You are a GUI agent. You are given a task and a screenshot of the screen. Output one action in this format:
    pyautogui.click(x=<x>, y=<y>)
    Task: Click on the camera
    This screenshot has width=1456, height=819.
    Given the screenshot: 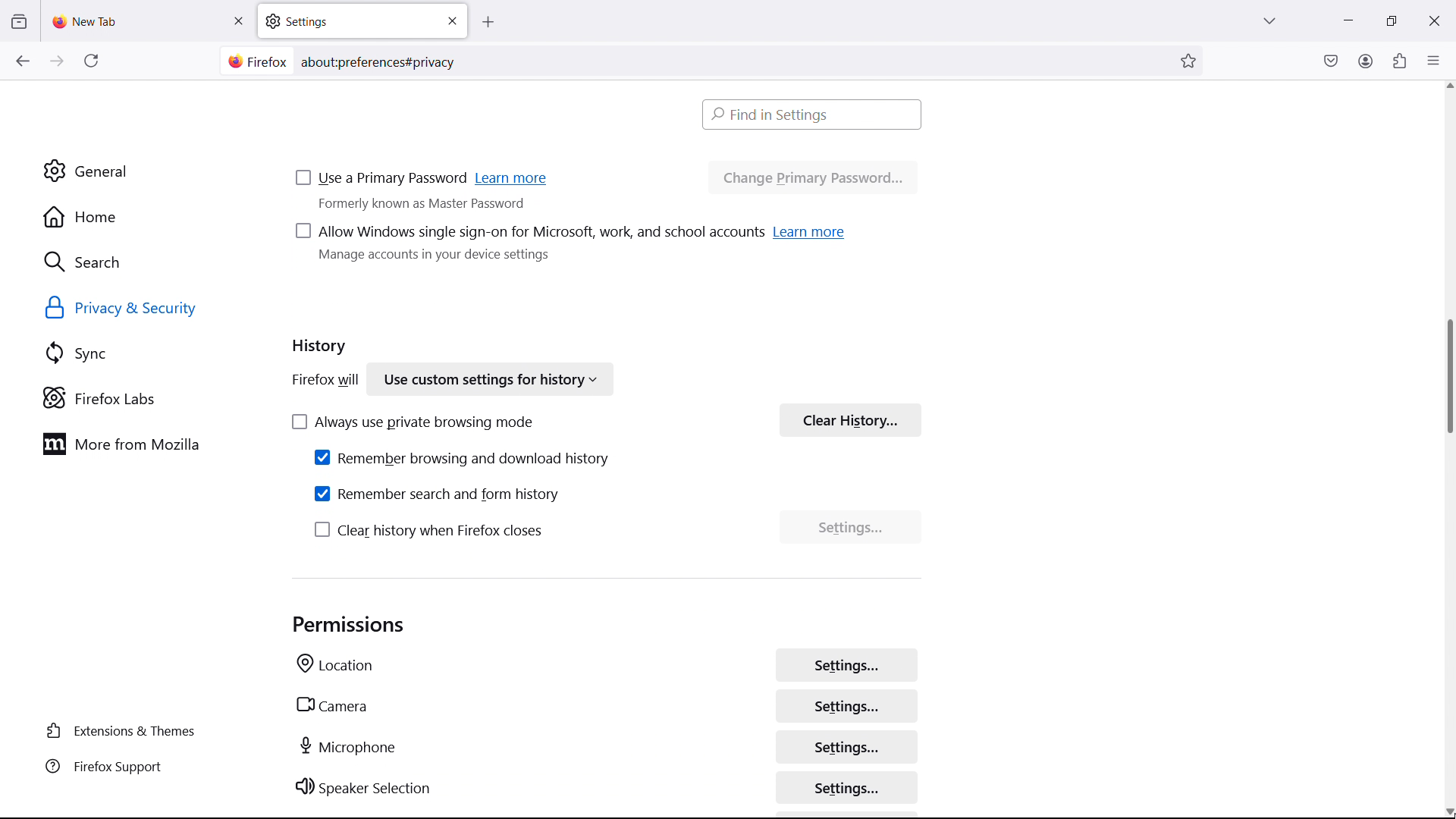 What is the action you would take?
    pyautogui.click(x=331, y=703)
    